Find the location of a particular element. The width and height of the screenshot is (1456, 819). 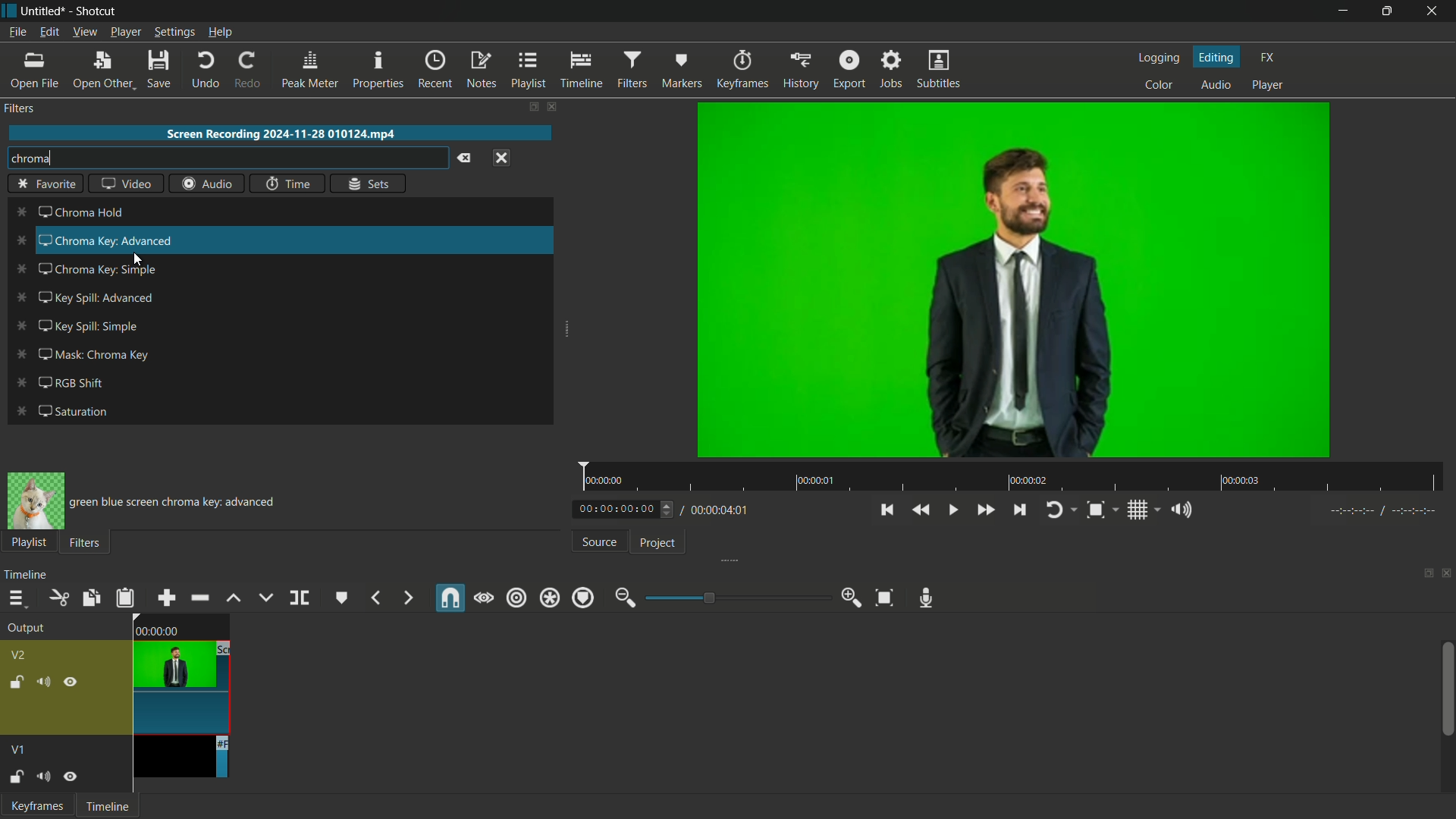

editing is located at coordinates (1216, 56).